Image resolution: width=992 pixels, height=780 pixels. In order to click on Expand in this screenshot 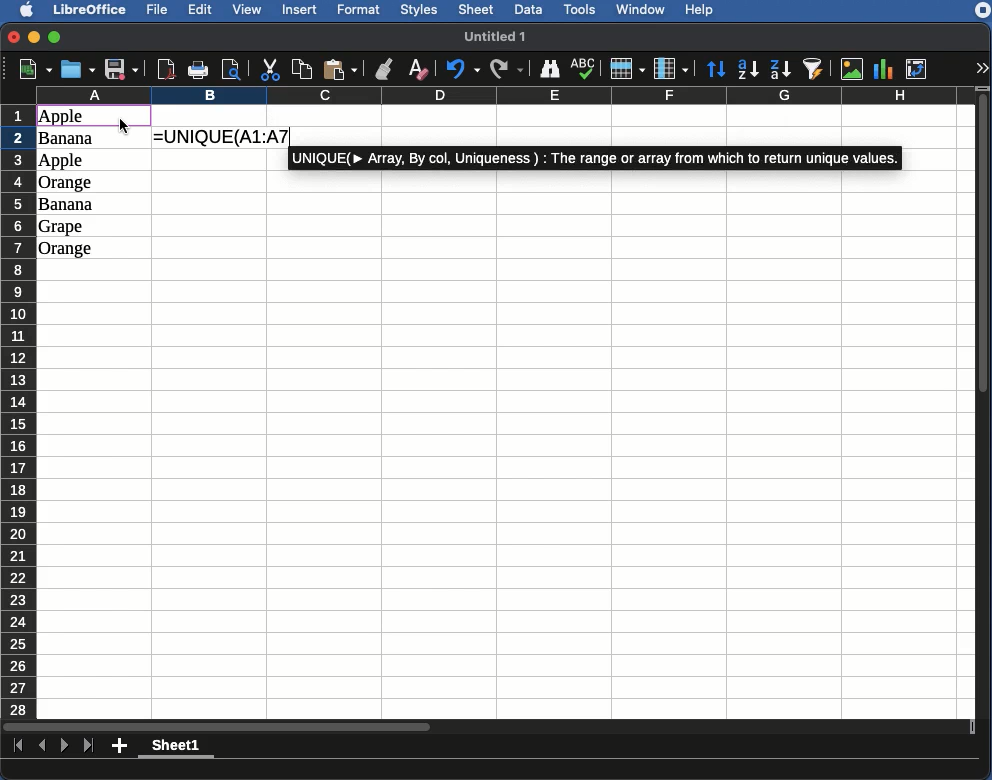, I will do `click(983, 68)`.